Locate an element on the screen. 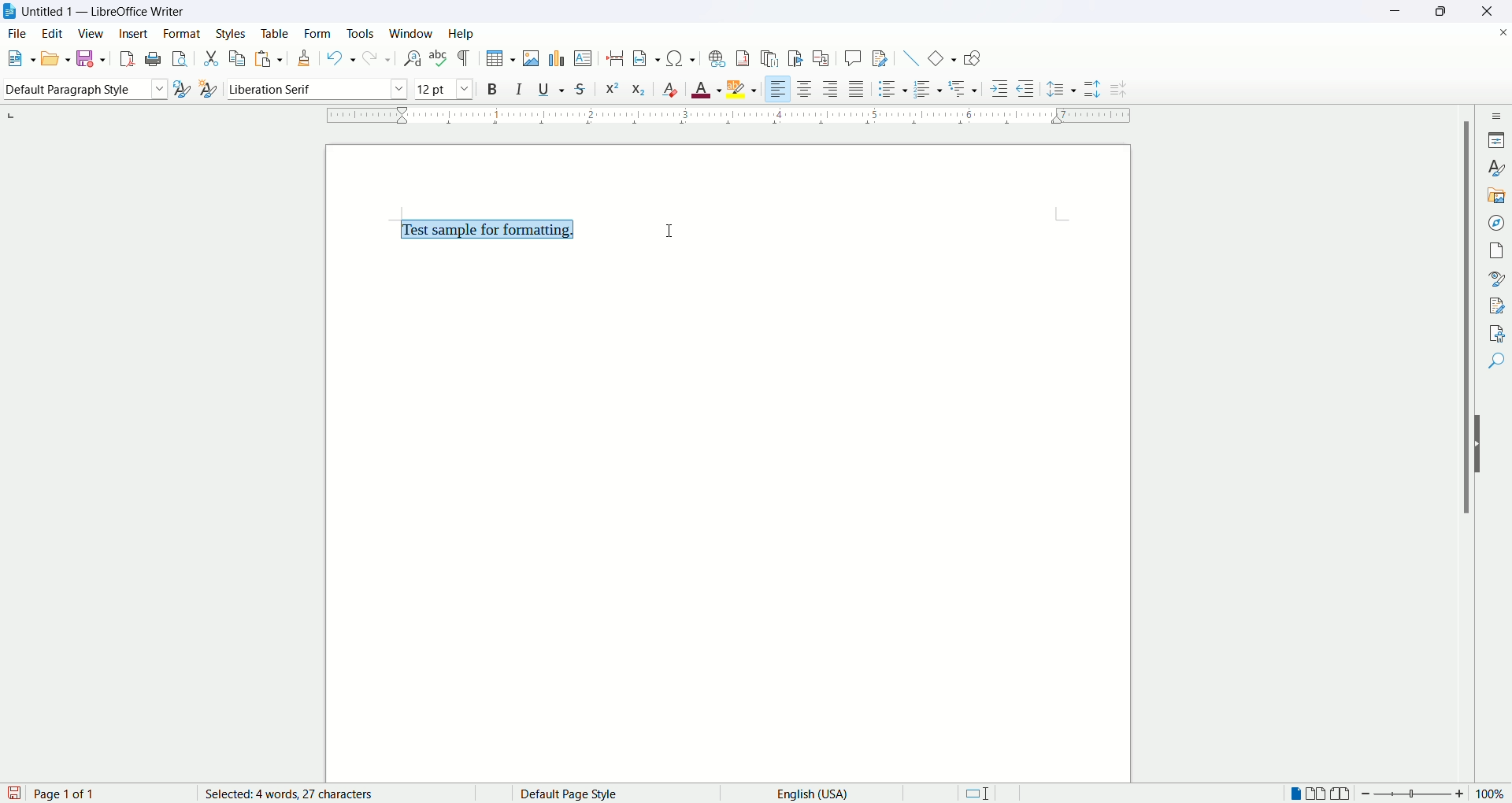  insert image is located at coordinates (528, 58).